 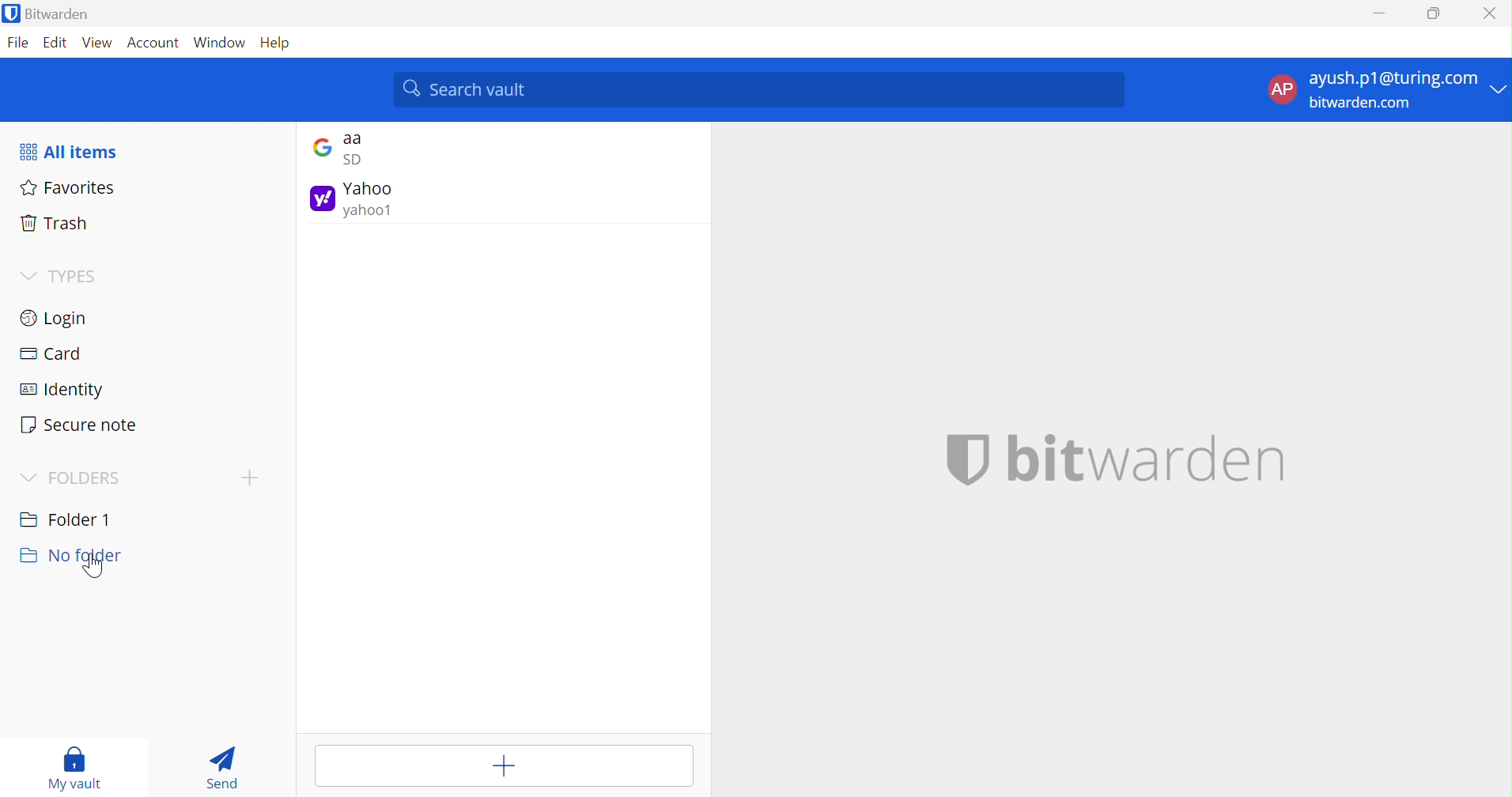 What do you see at coordinates (72, 153) in the screenshot?
I see `All items` at bounding box center [72, 153].